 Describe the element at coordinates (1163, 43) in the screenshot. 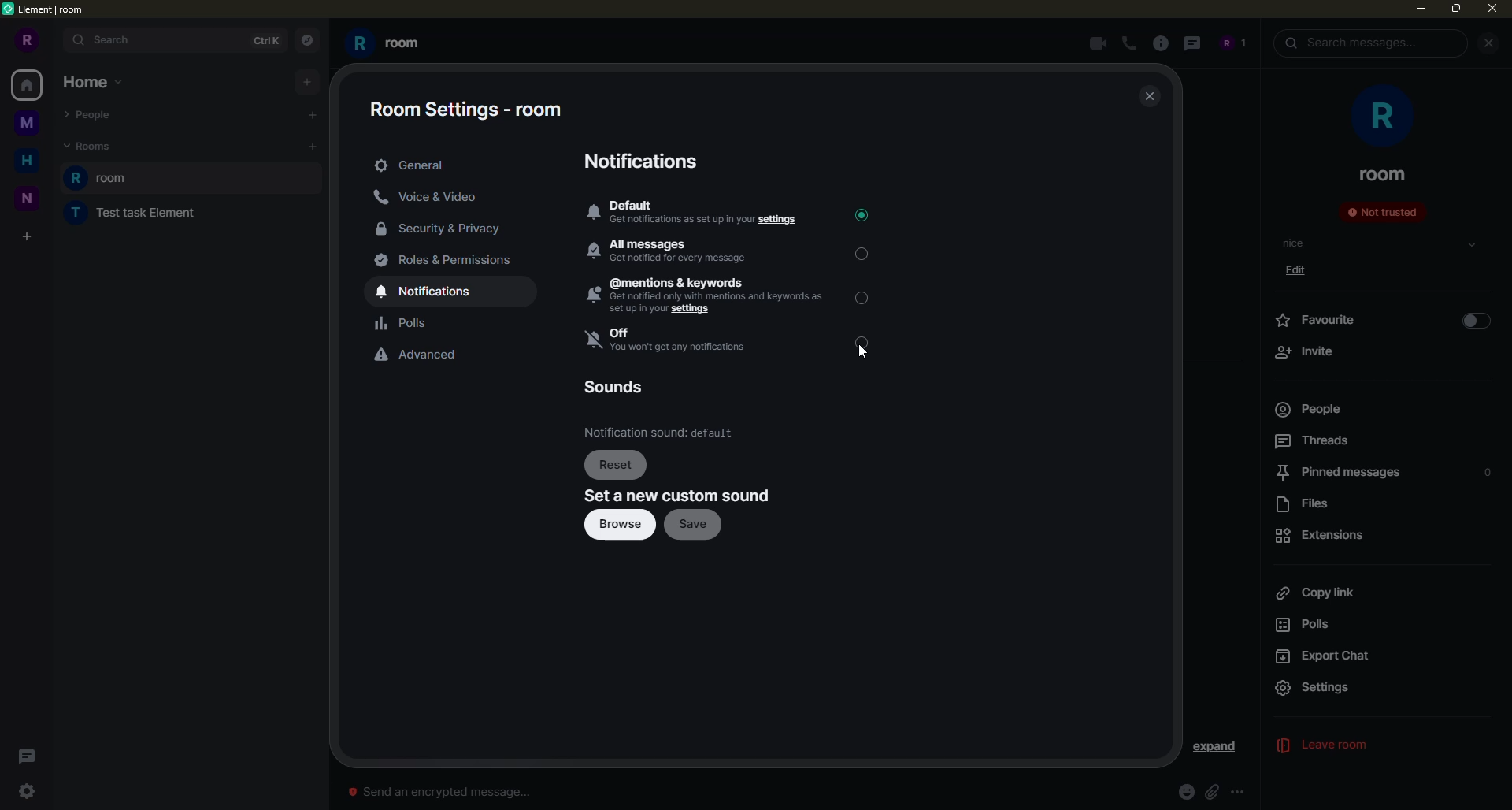

I see `info` at that location.